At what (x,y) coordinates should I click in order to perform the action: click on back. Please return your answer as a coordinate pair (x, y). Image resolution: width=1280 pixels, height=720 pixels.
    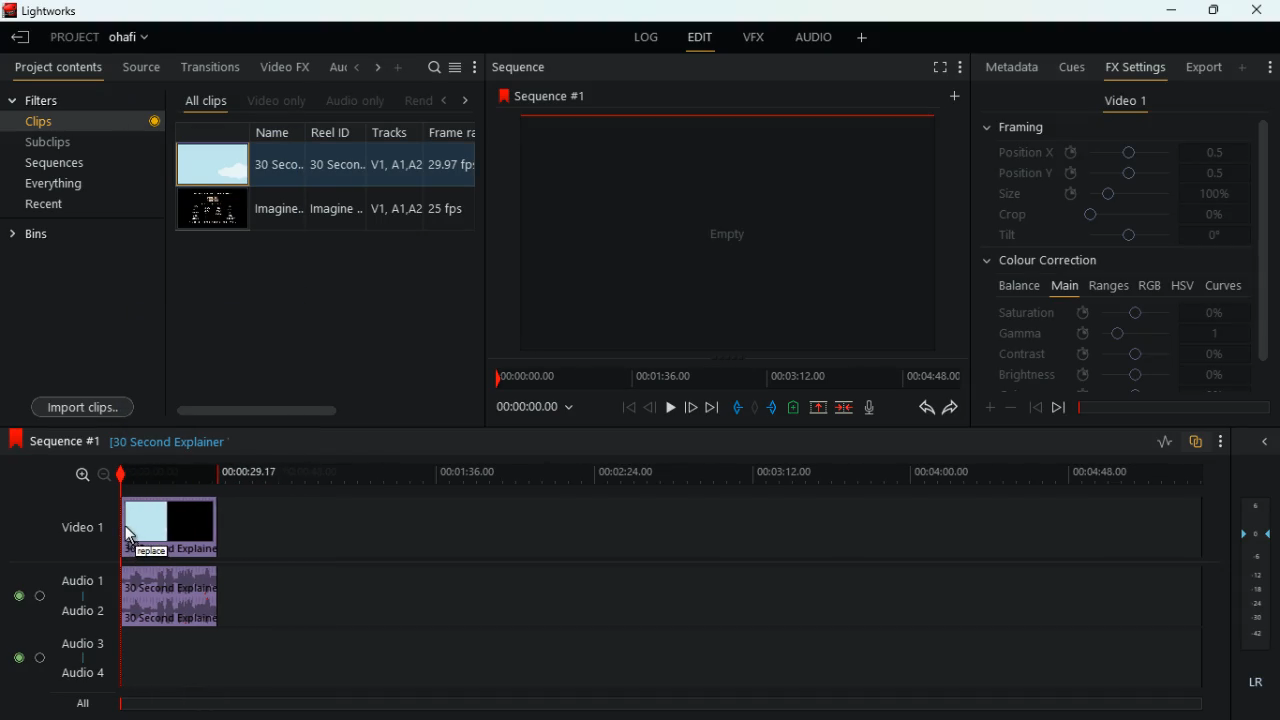
    Looking at the image, I should click on (653, 407).